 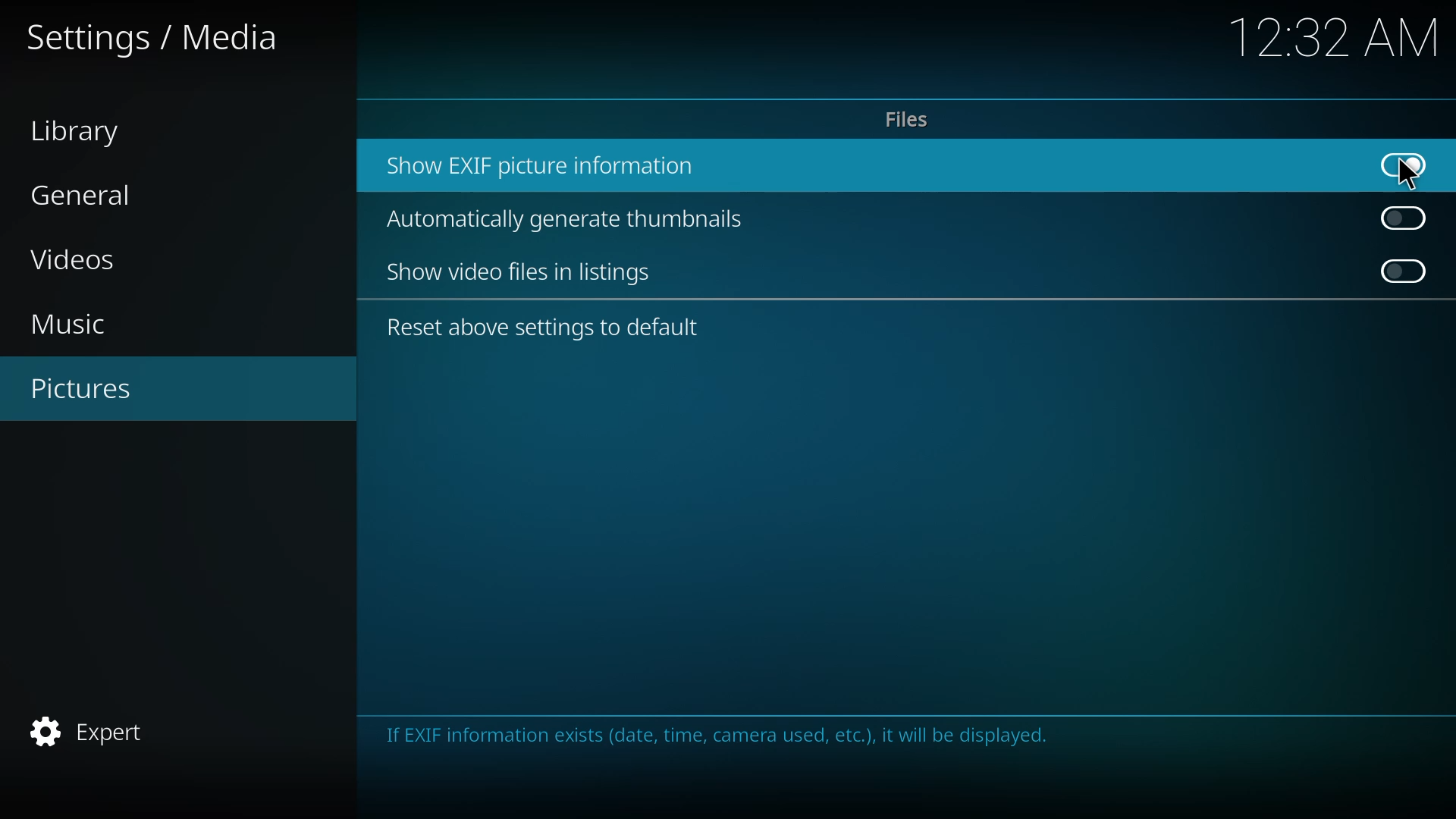 What do you see at coordinates (156, 37) in the screenshot?
I see `settings media` at bounding box center [156, 37].